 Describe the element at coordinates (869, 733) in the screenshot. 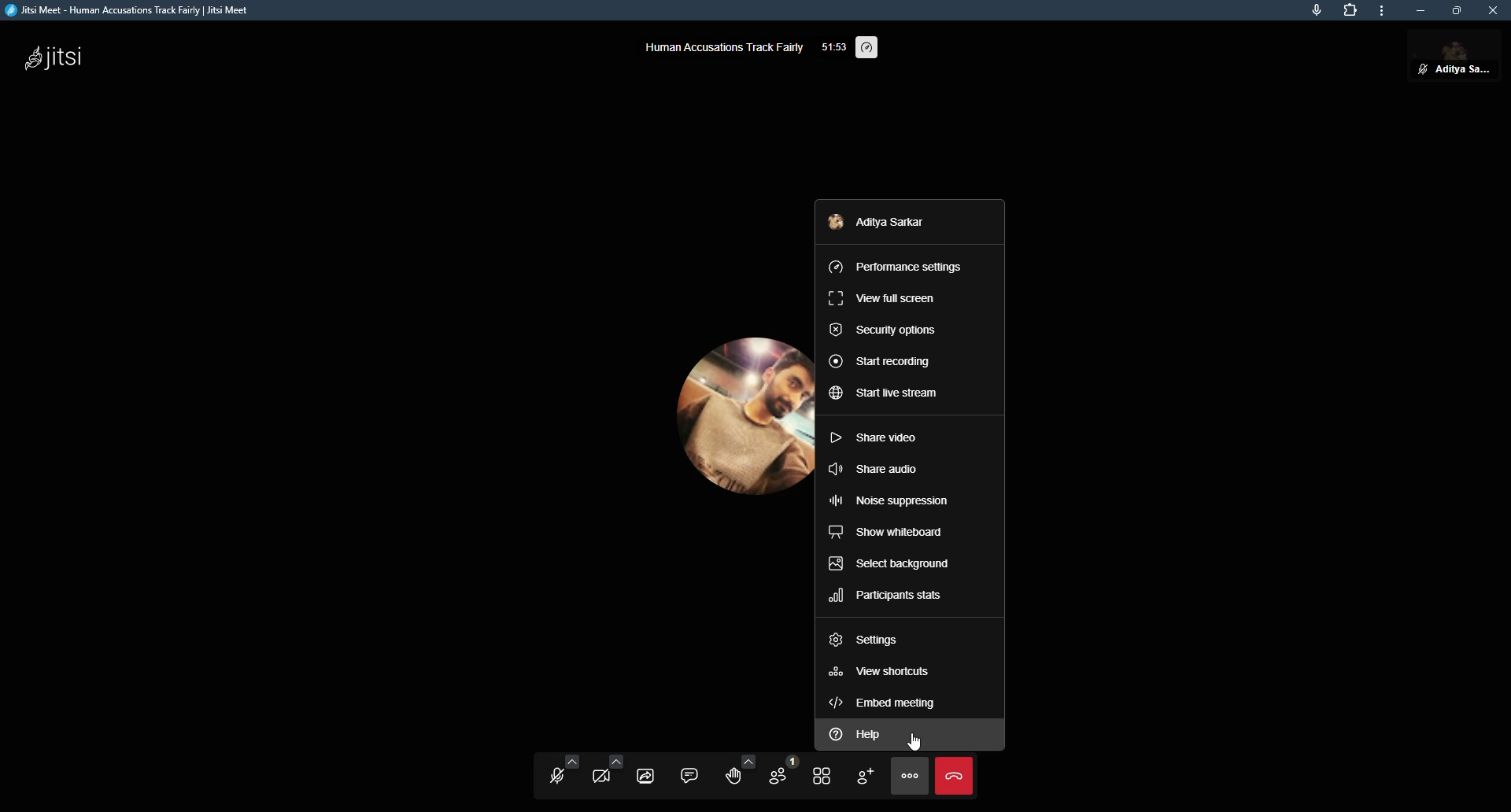

I see `help` at that location.